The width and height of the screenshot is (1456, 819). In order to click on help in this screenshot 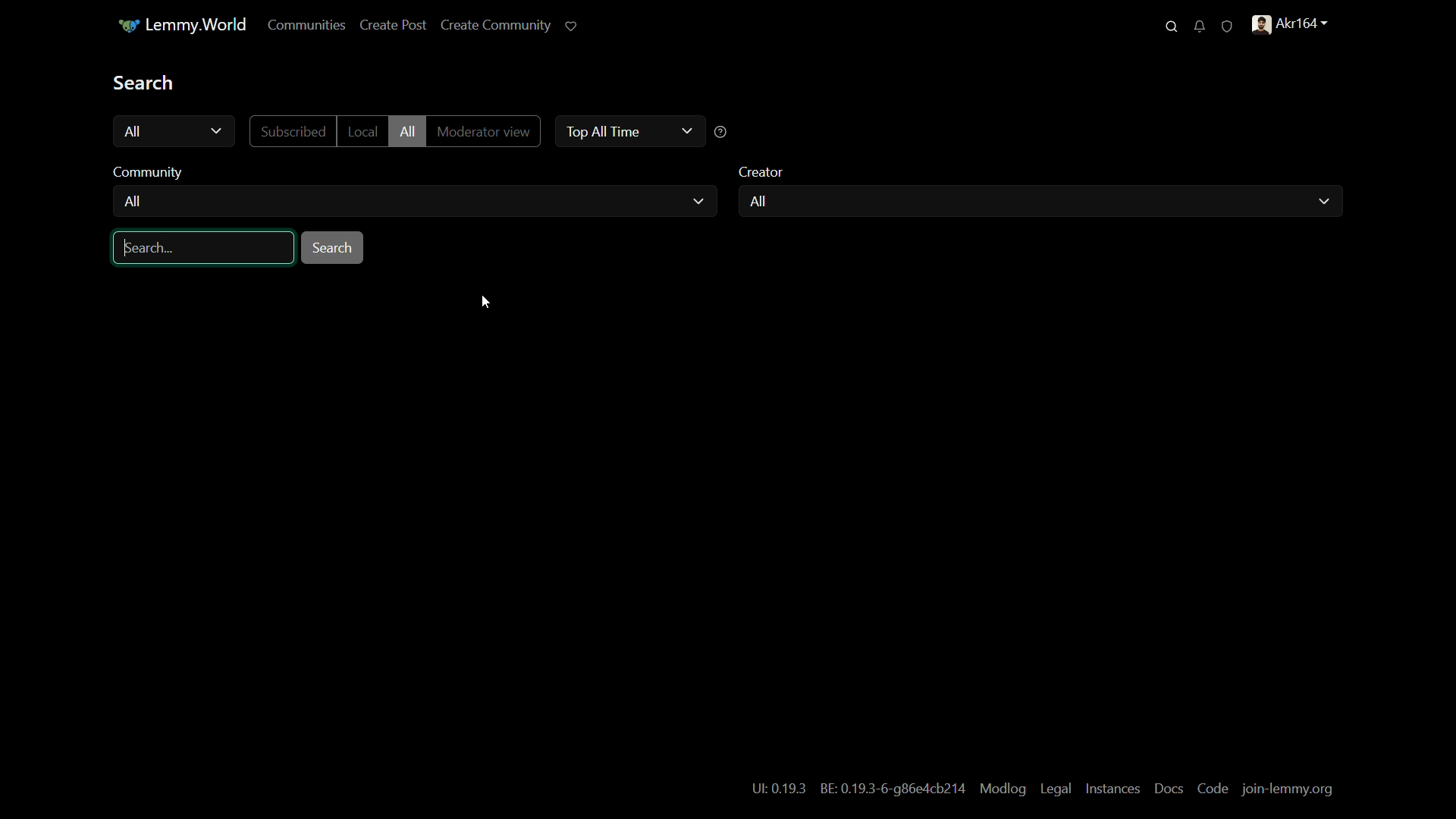, I will do `click(721, 133)`.